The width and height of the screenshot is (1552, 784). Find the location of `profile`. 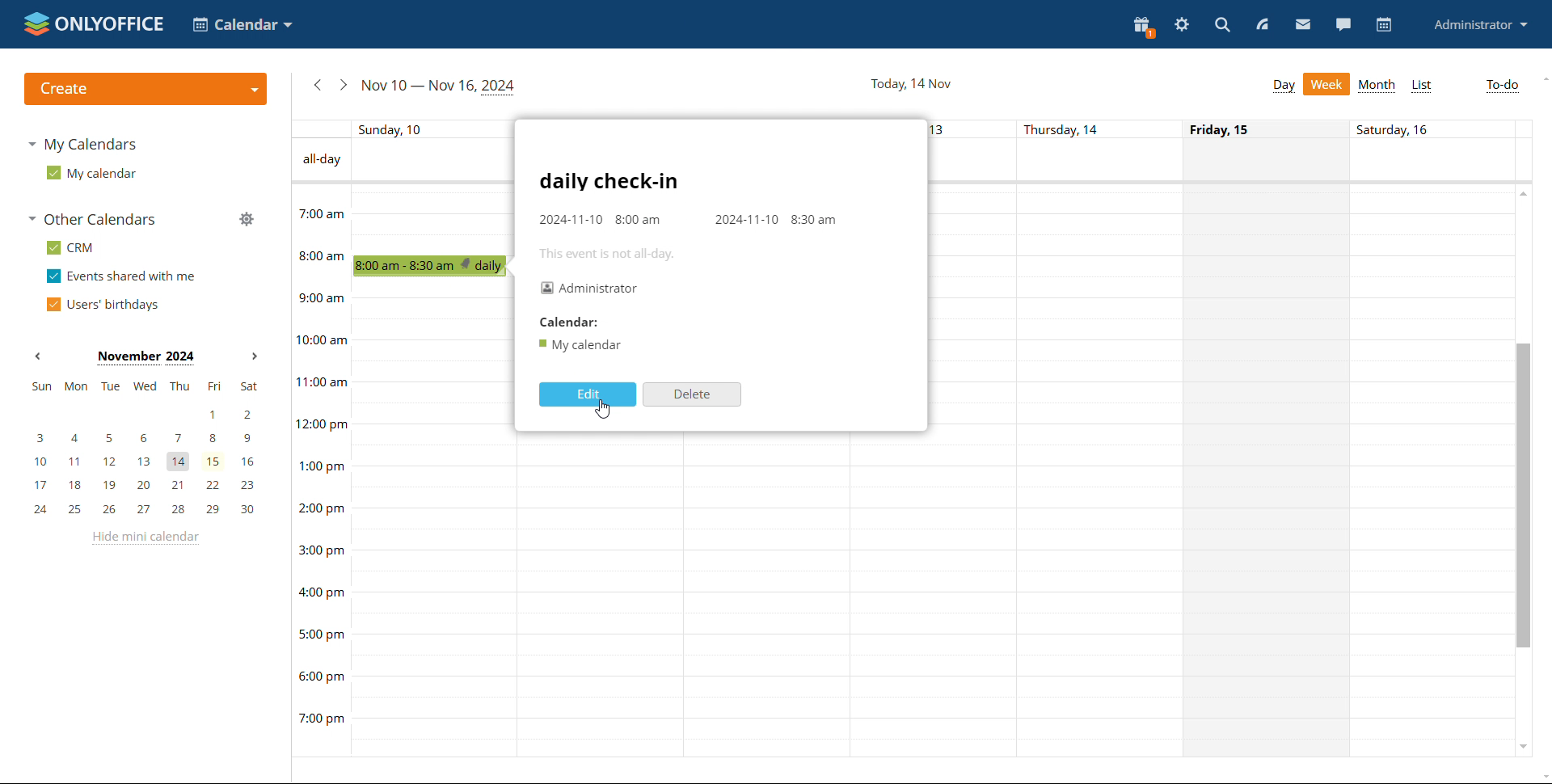

profile is located at coordinates (1482, 24).